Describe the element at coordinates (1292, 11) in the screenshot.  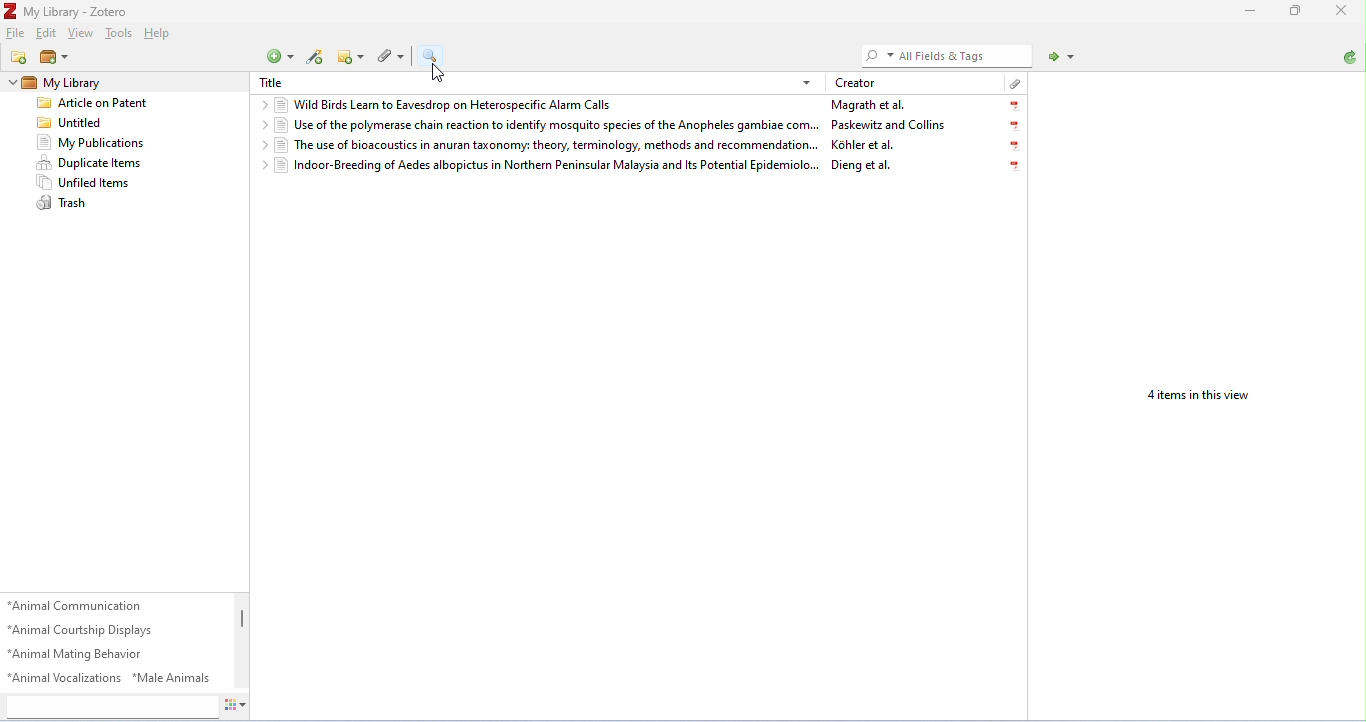
I see `maximize` at that location.